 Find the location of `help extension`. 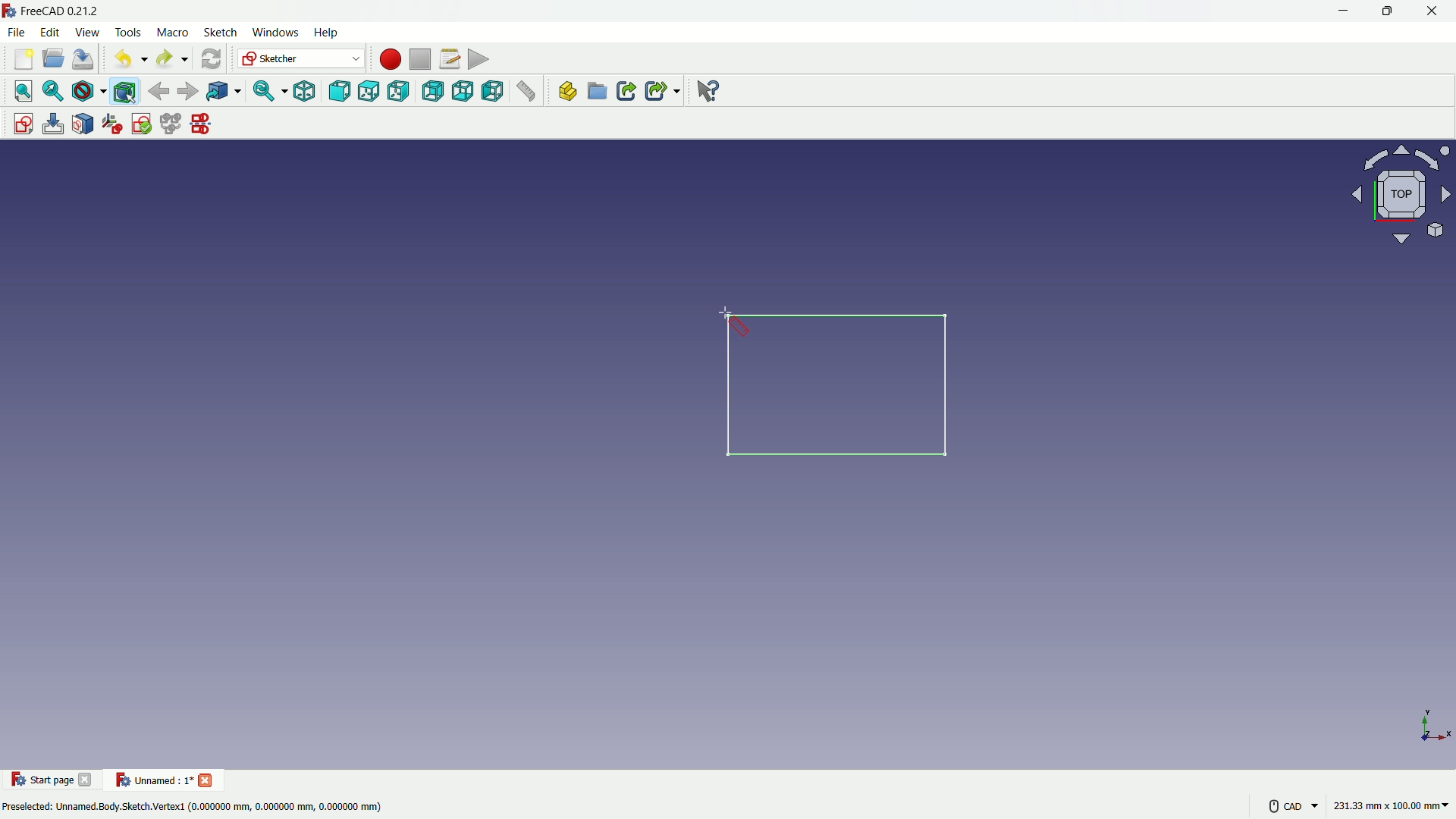

help extension is located at coordinates (709, 92).